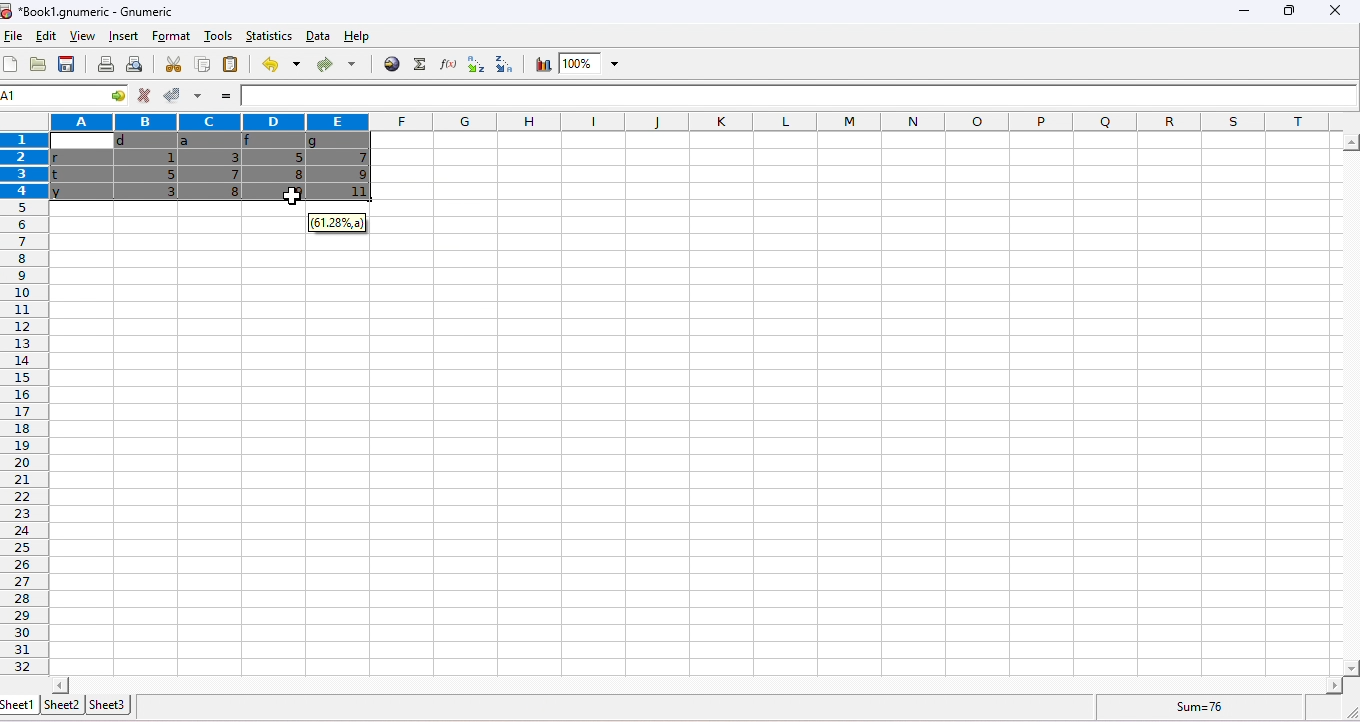  I want to click on open, so click(38, 65).